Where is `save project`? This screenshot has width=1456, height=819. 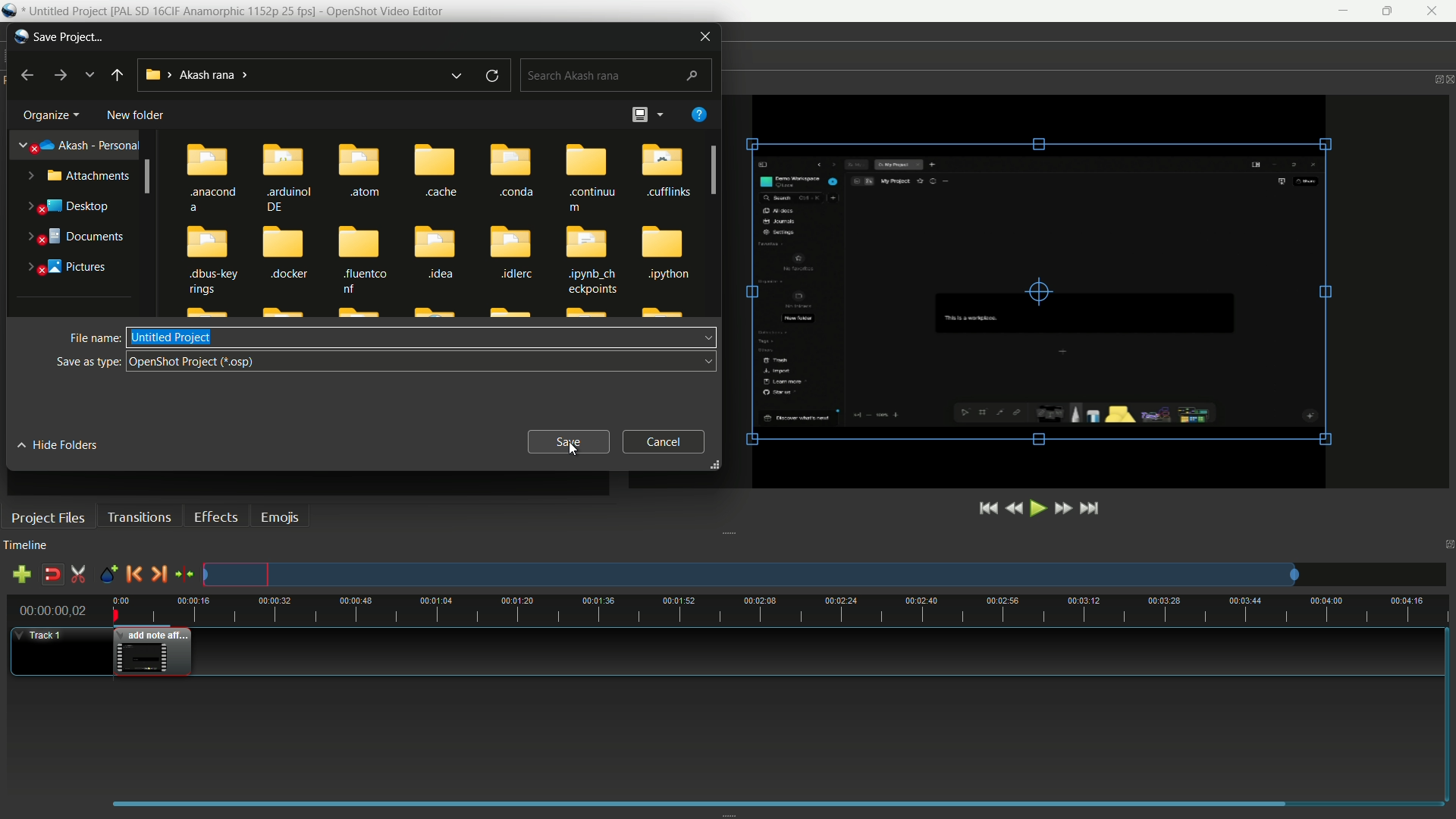
save project is located at coordinates (69, 37).